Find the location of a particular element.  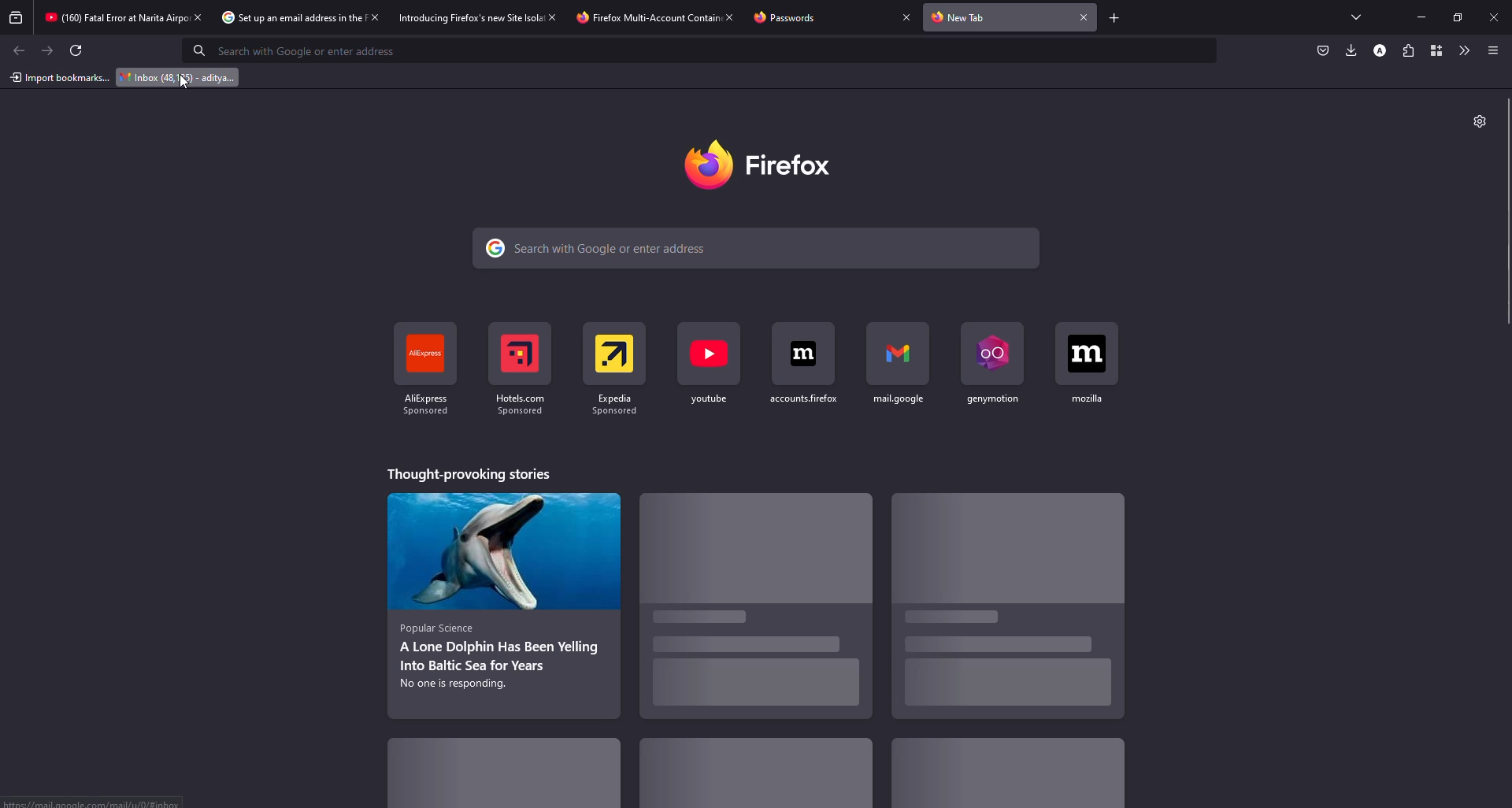

Icon is located at coordinates (610, 351).